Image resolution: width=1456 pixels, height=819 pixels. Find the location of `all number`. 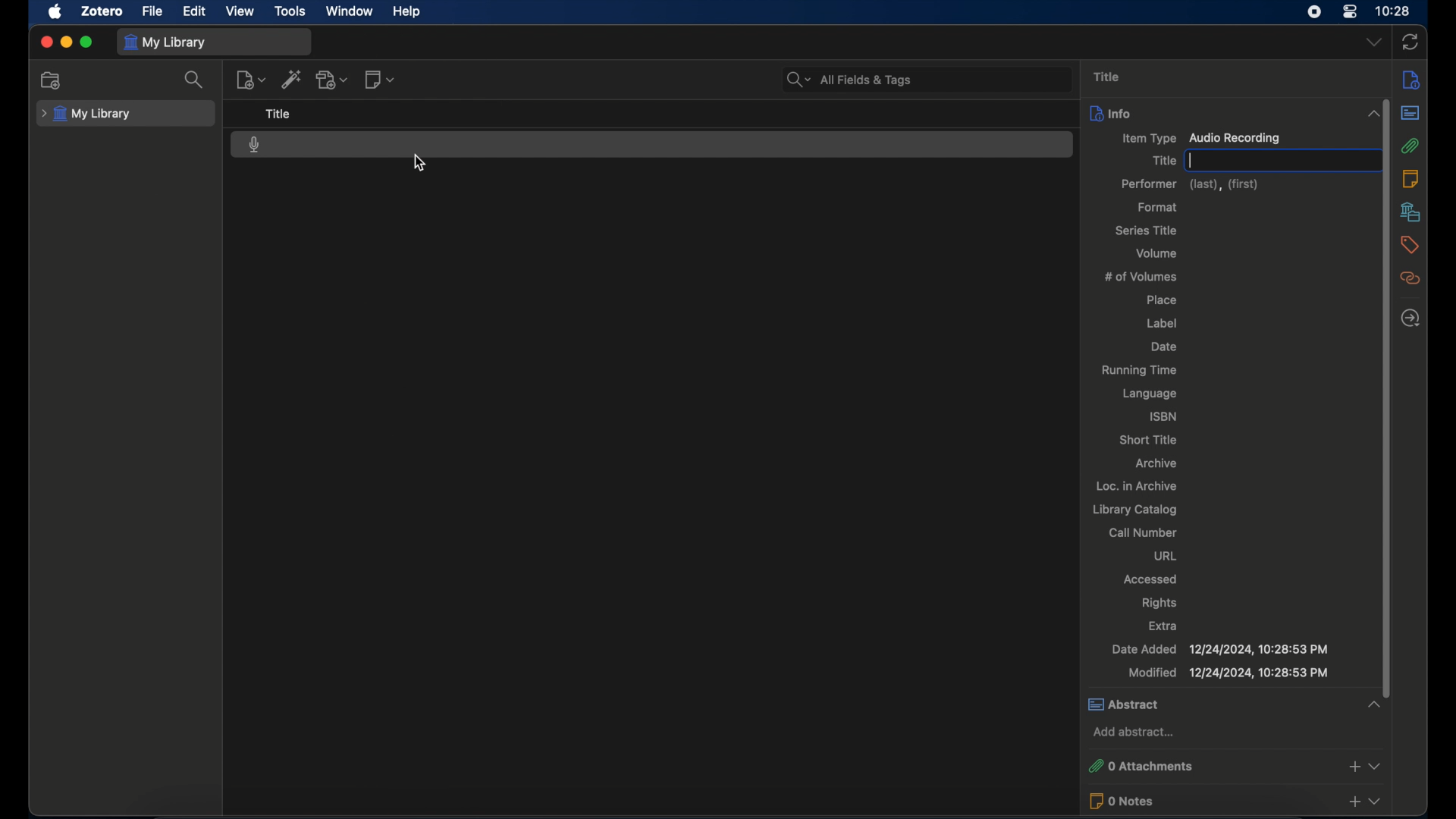

all number is located at coordinates (1144, 532).